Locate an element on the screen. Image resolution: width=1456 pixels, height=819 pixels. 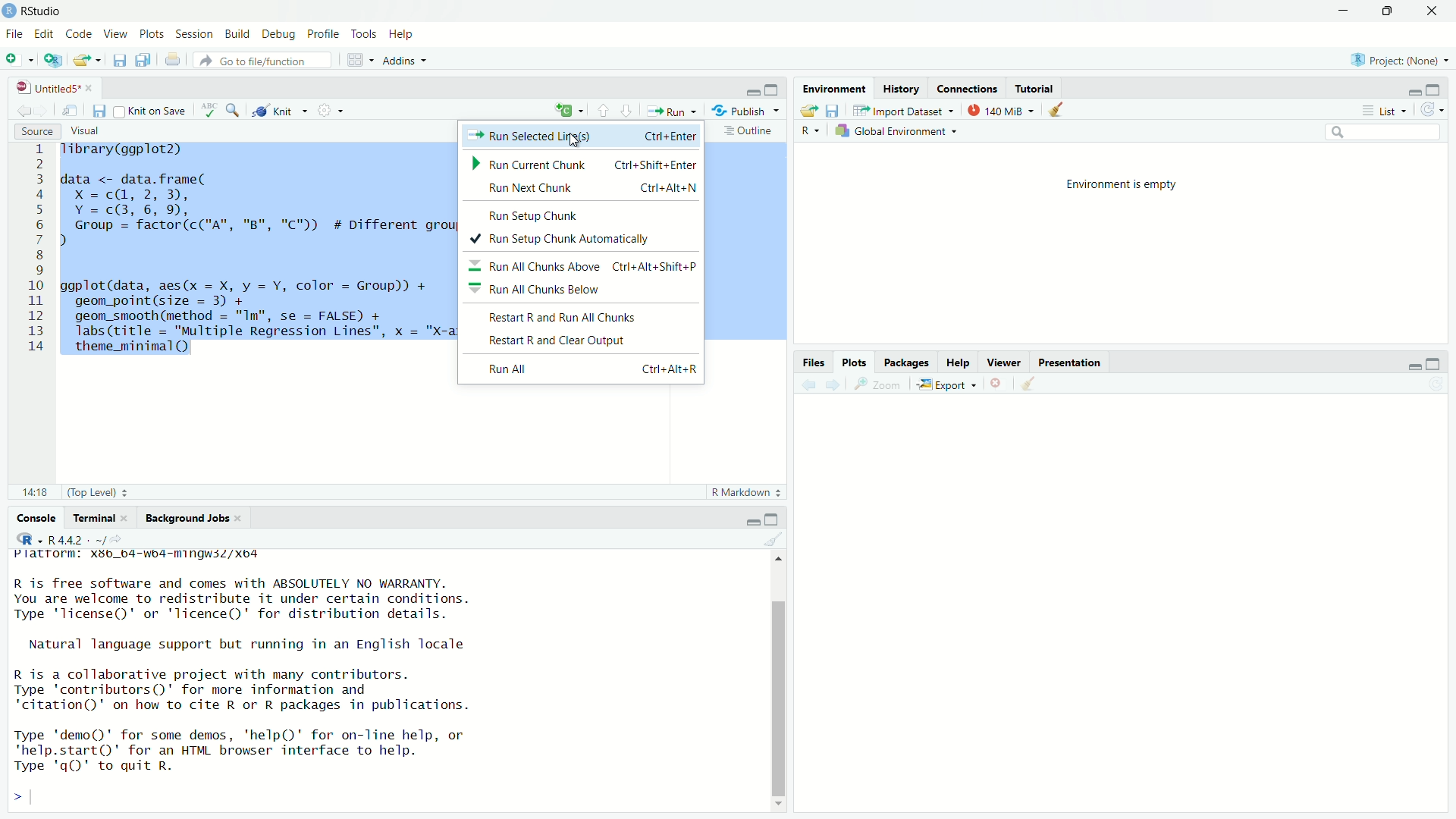
Import Dataset is located at coordinates (900, 110).